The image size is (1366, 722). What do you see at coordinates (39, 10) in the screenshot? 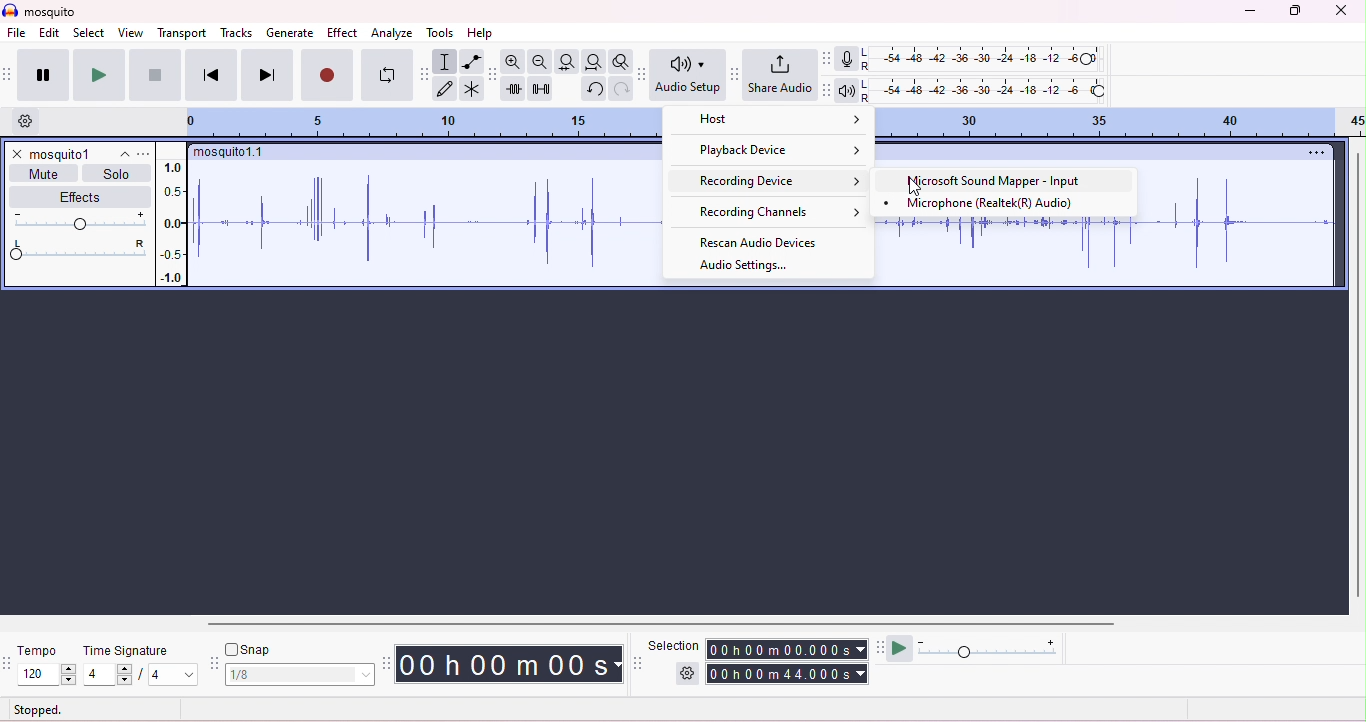
I see `title` at bounding box center [39, 10].